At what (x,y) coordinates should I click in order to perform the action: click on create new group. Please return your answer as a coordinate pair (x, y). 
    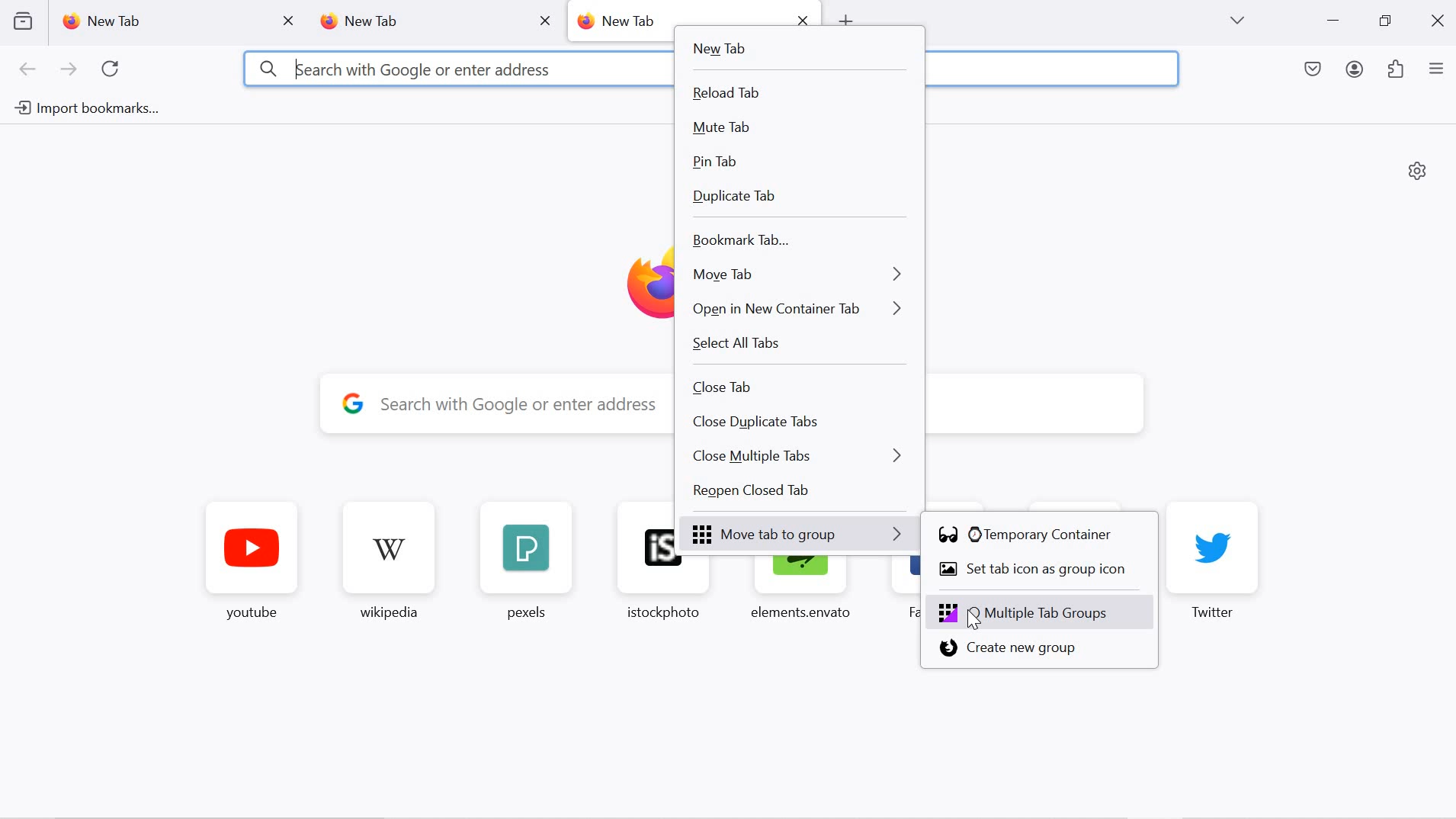
    Looking at the image, I should click on (1032, 650).